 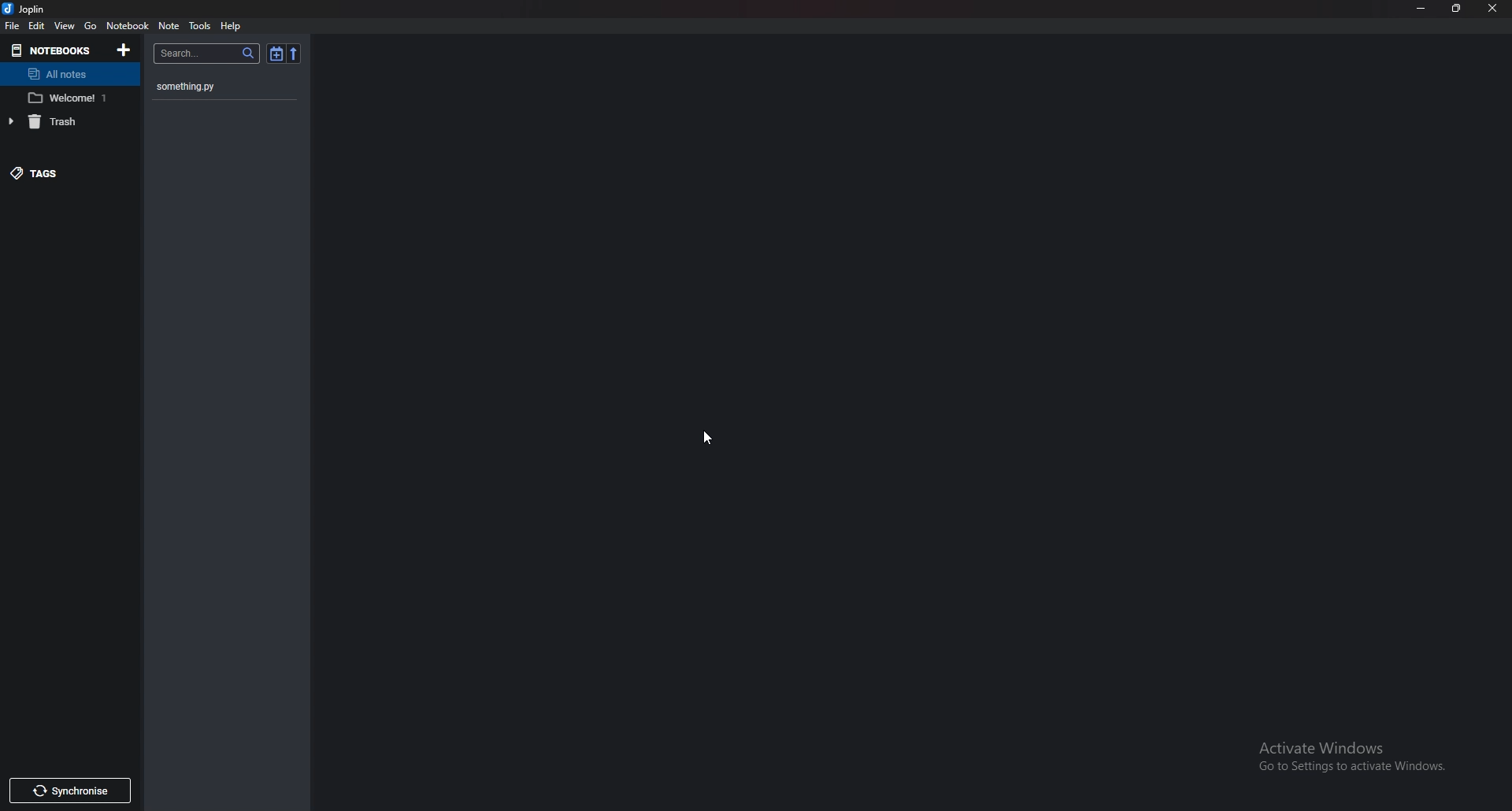 What do you see at coordinates (1457, 9) in the screenshot?
I see `Resize` at bounding box center [1457, 9].